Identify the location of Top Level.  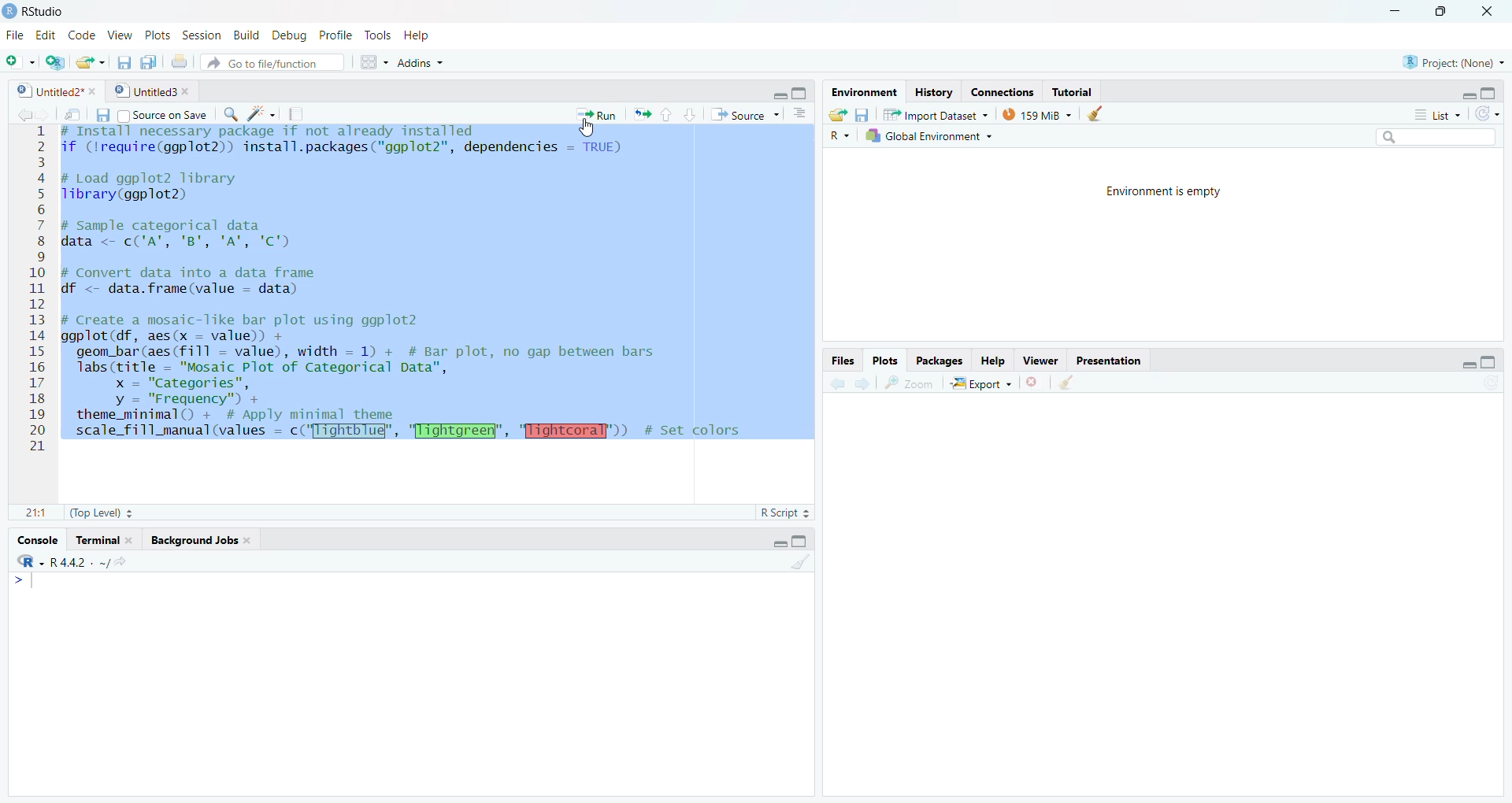
(102, 512).